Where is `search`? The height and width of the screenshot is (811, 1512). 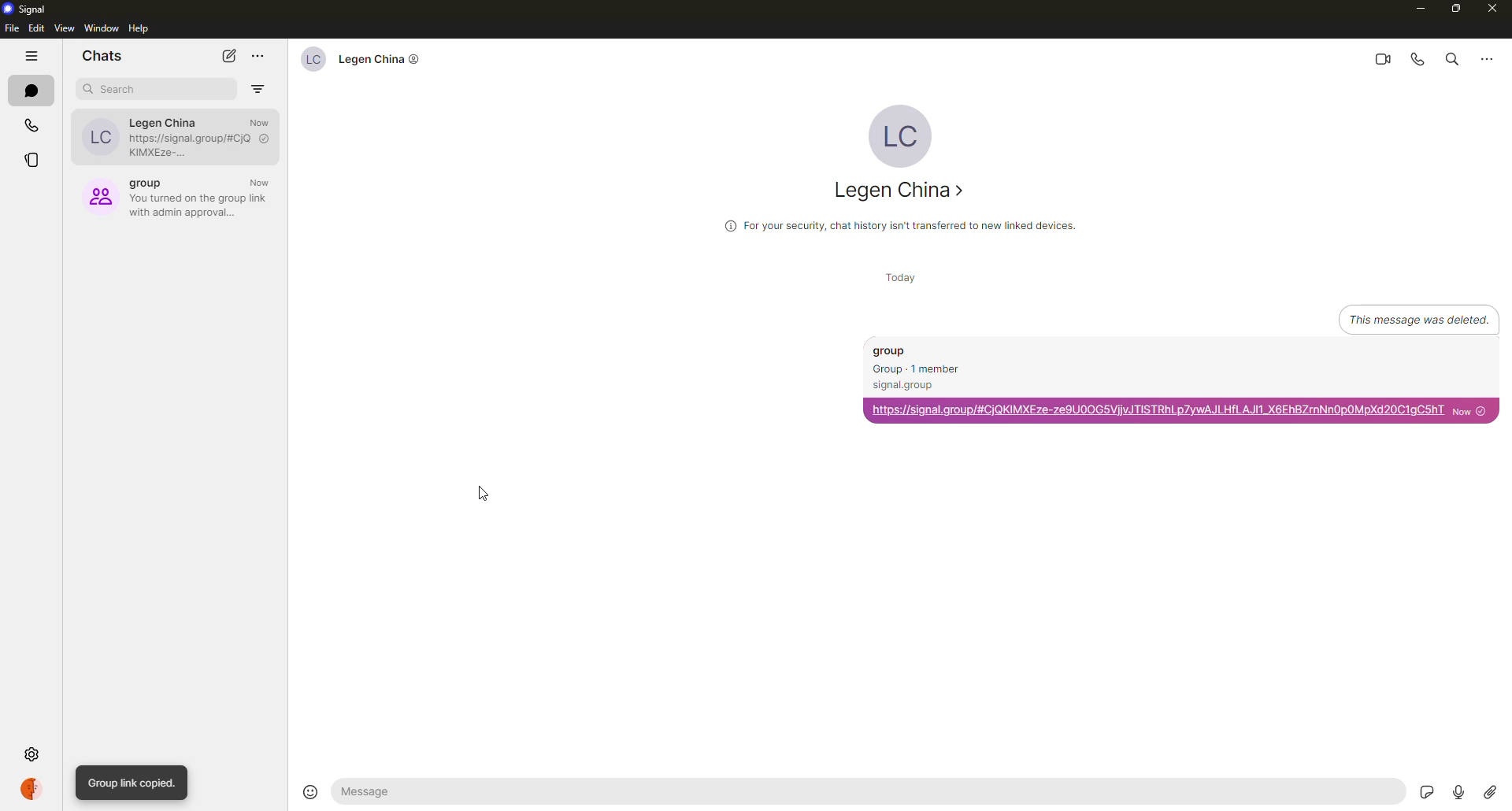
search is located at coordinates (1449, 61).